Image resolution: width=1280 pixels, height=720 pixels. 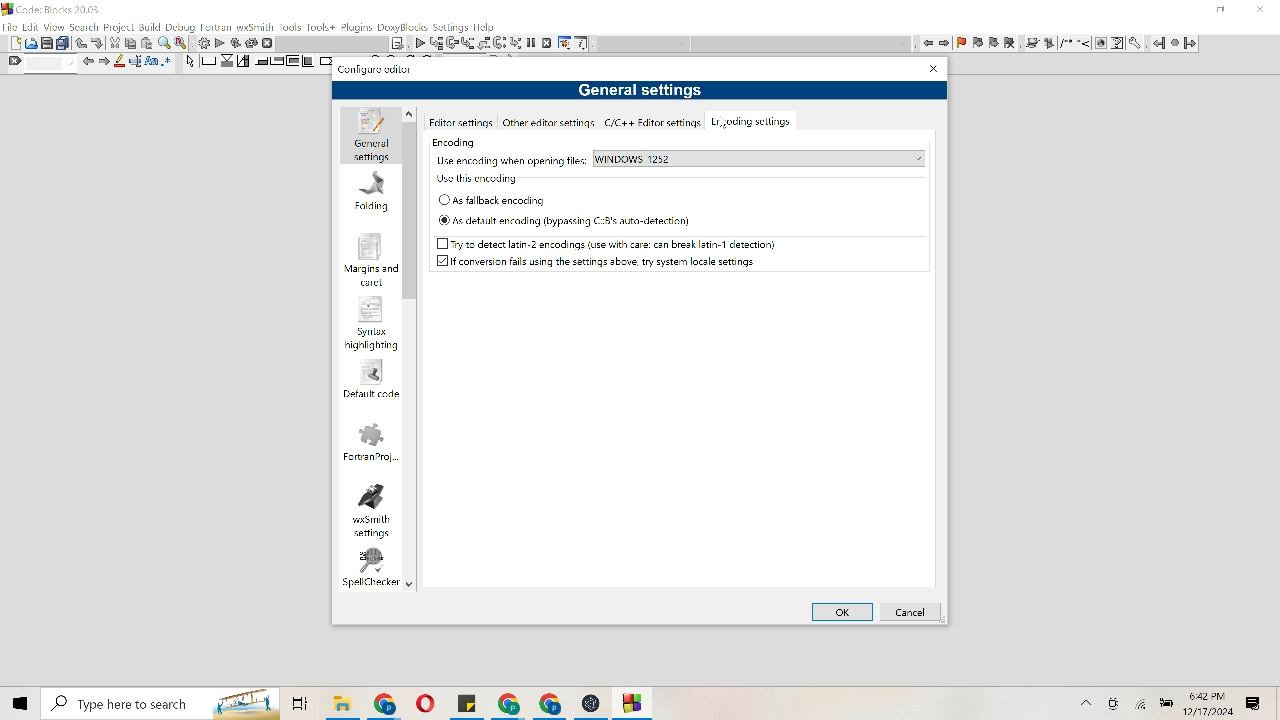 I want to click on tools, so click(x=1137, y=44).